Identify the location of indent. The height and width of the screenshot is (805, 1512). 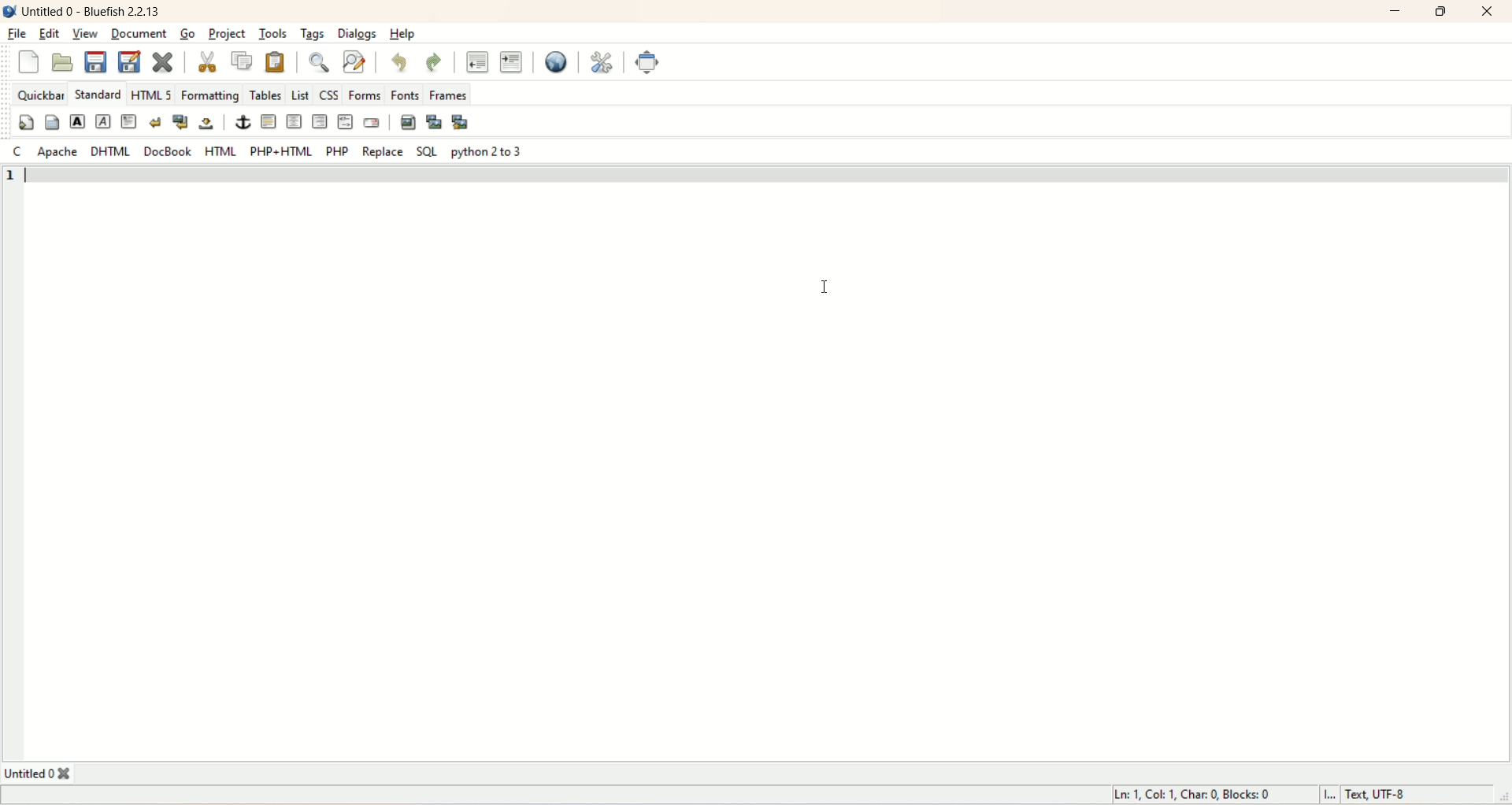
(513, 61).